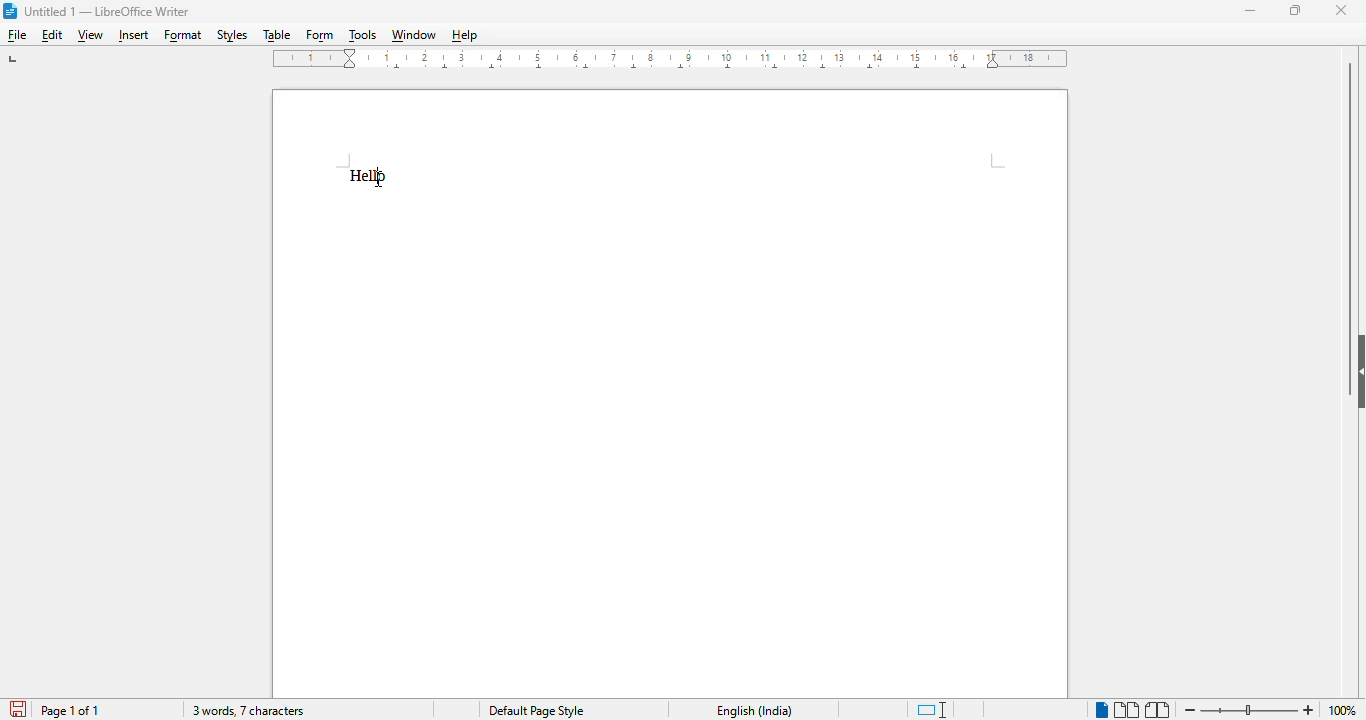 The width and height of the screenshot is (1366, 720). What do you see at coordinates (276, 36) in the screenshot?
I see `table` at bounding box center [276, 36].